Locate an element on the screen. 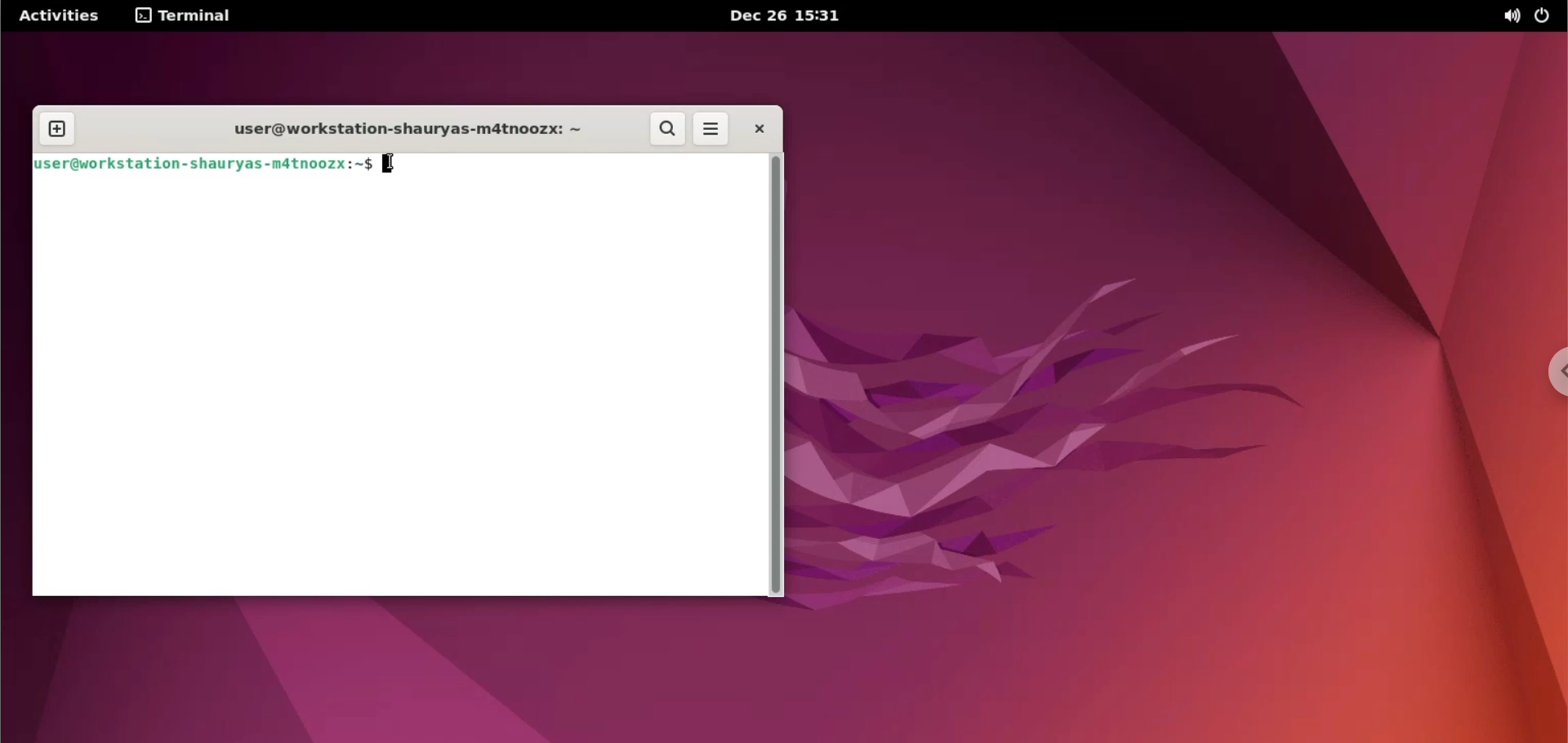  user@workstation-shauryas-mdtnoozx:~ is located at coordinates (390, 130).